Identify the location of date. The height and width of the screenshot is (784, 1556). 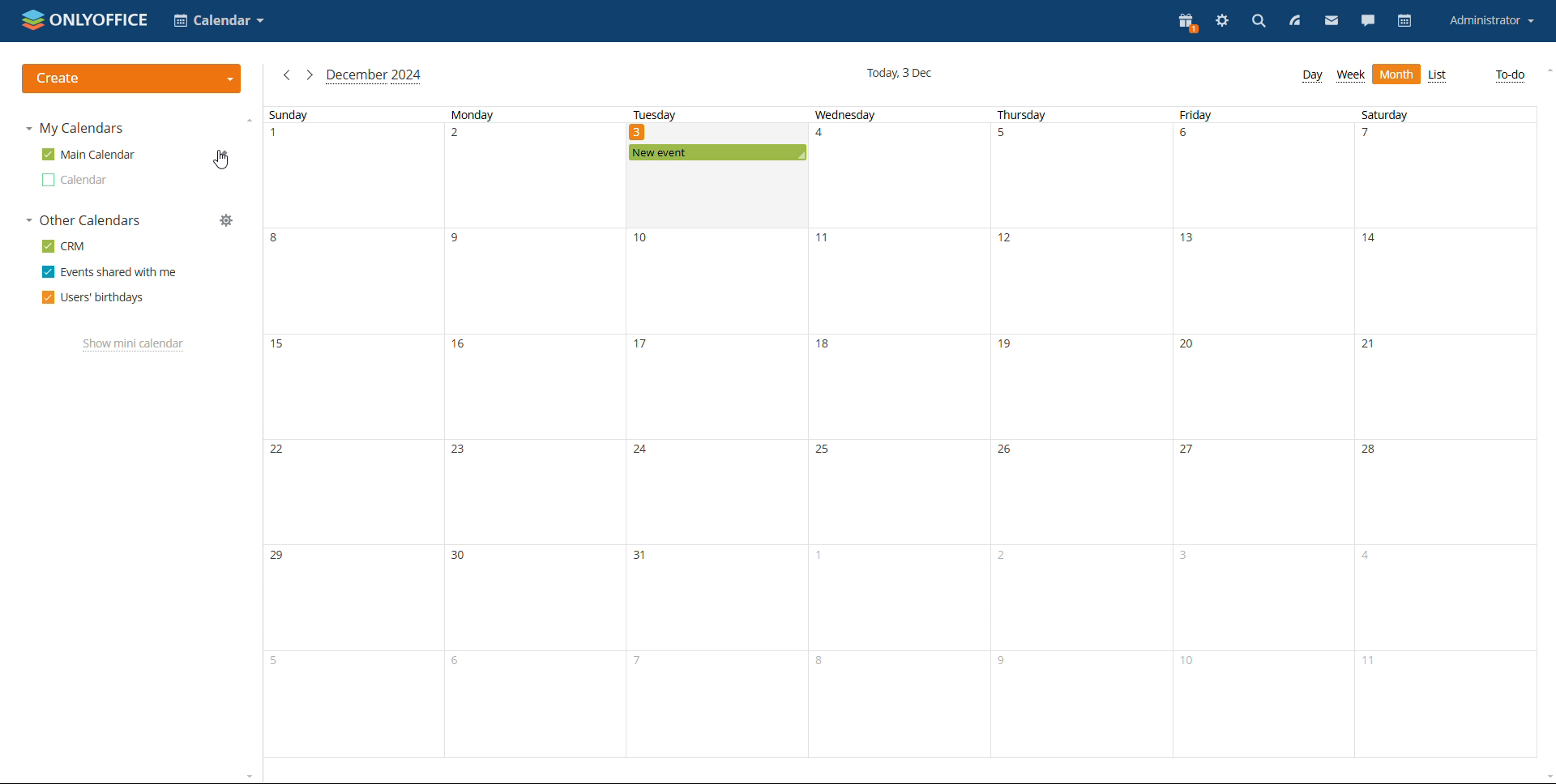
(1447, 279).